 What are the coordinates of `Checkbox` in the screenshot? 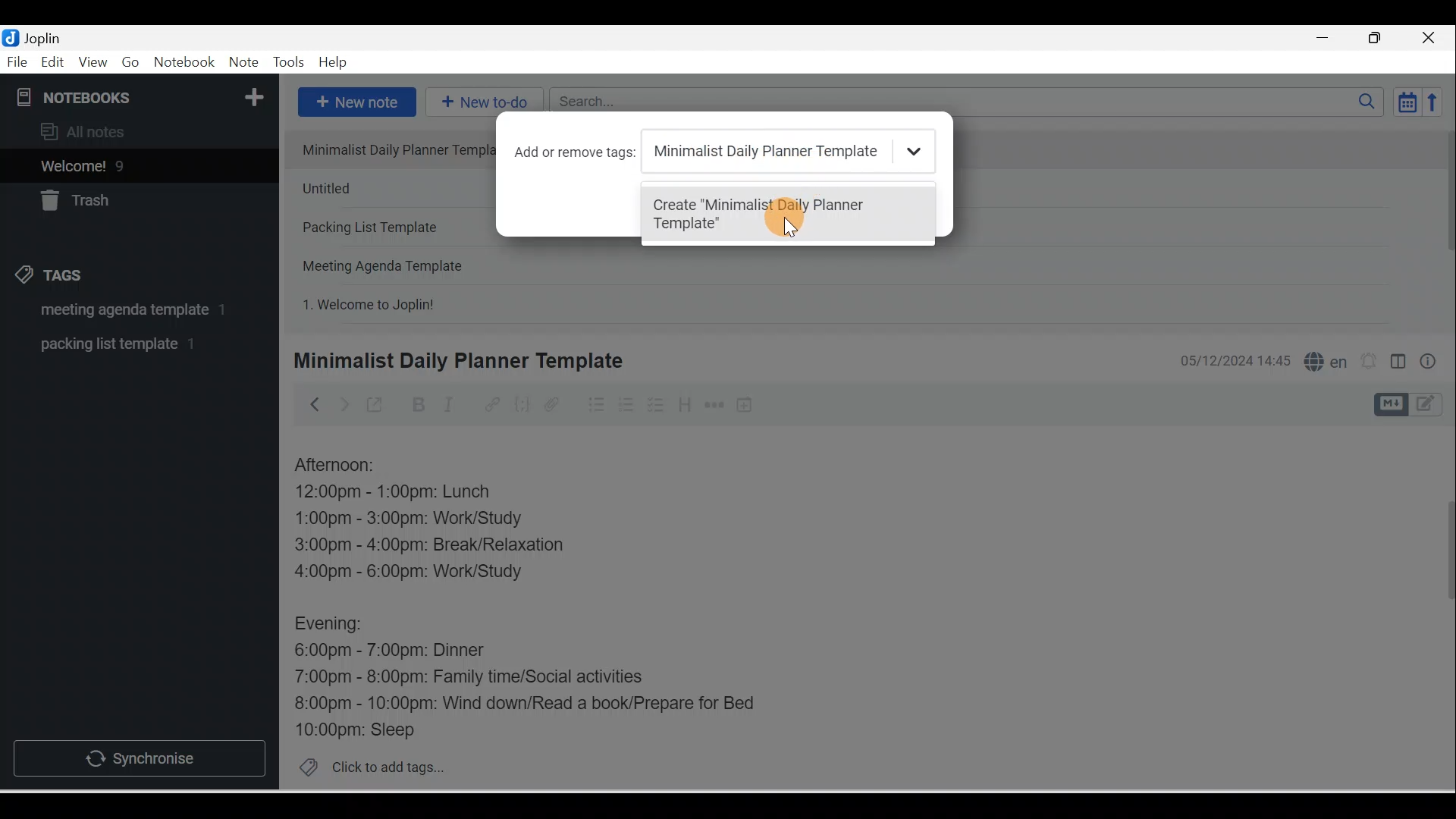 It's located at (654, 405).